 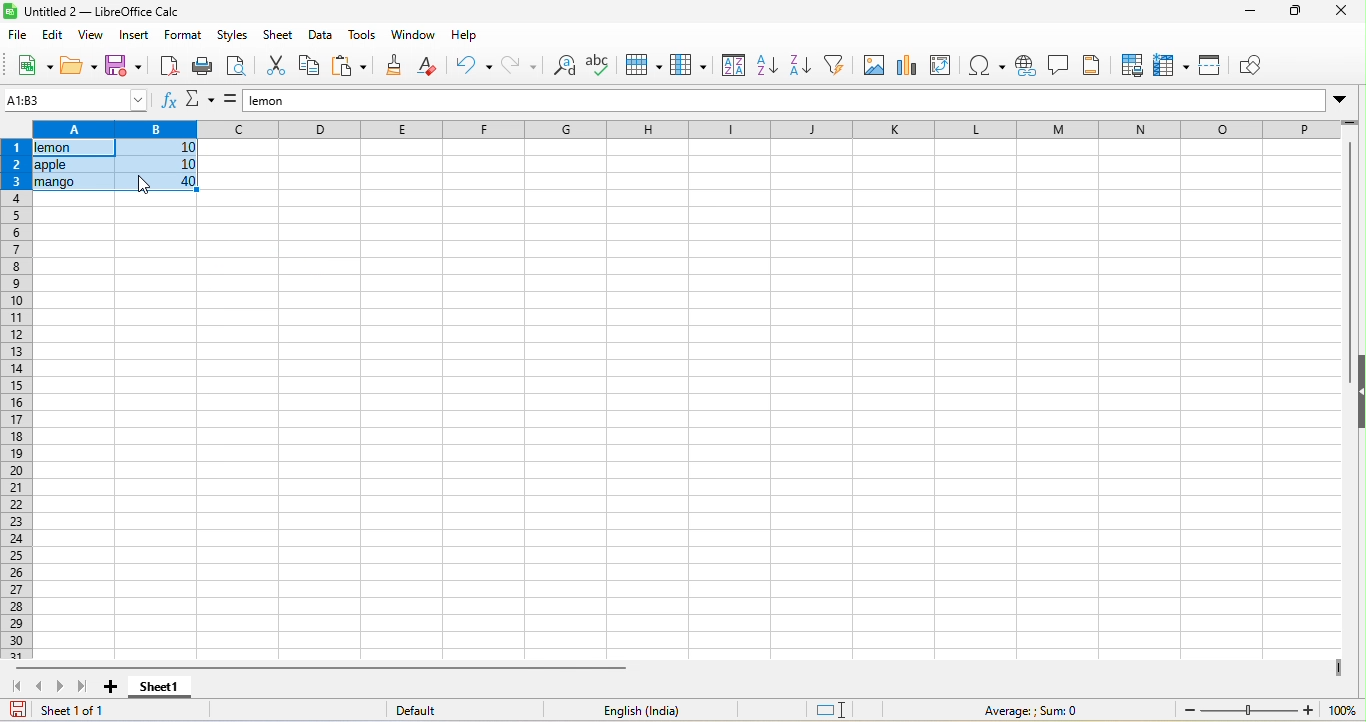 I want to click on scroll to next slheet, so click(x=60, y=689).